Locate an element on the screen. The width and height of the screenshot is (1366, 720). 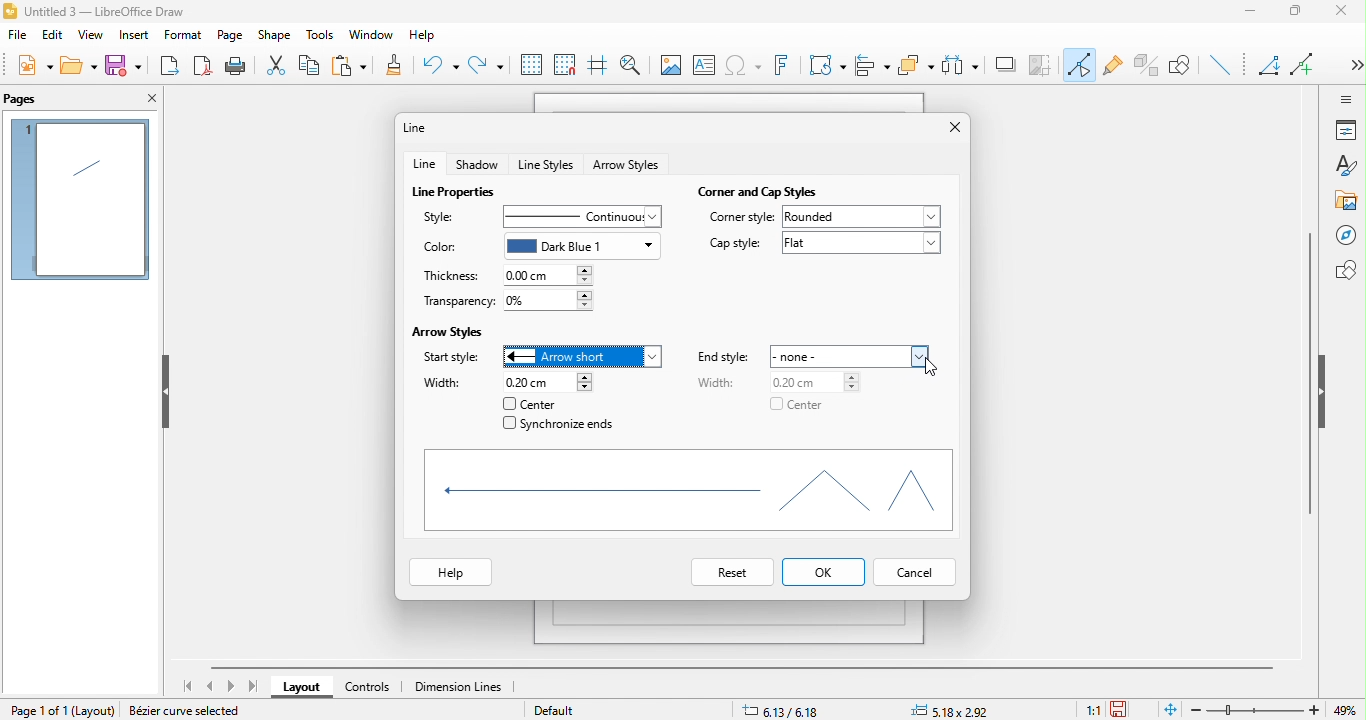
insert is located at coordinates (132, 37).